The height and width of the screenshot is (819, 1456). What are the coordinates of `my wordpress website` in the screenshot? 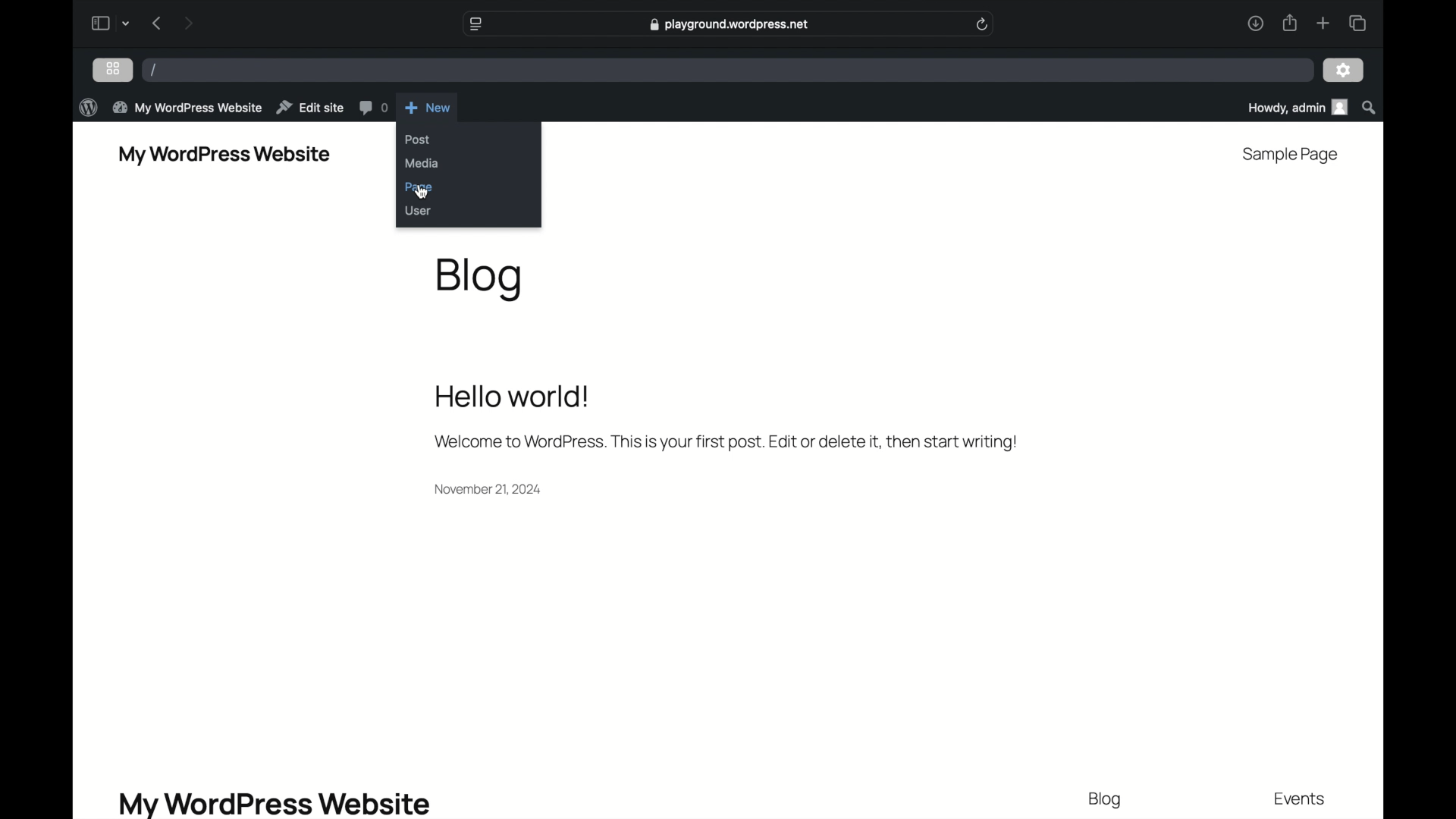 It's located at (273, 803).